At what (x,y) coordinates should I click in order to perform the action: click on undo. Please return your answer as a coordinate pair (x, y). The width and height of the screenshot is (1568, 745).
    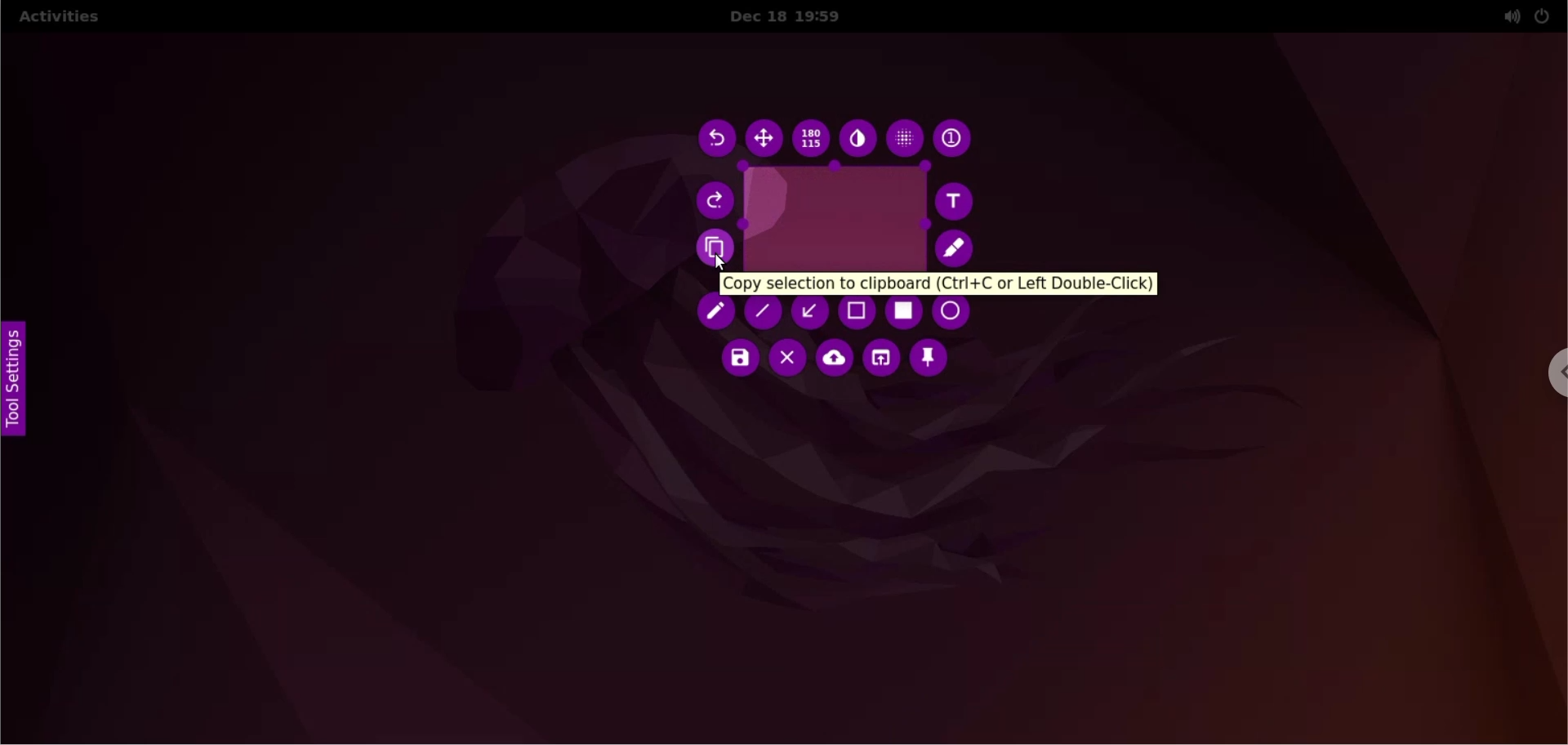
    Looking at the image, I should click on (719, 140).